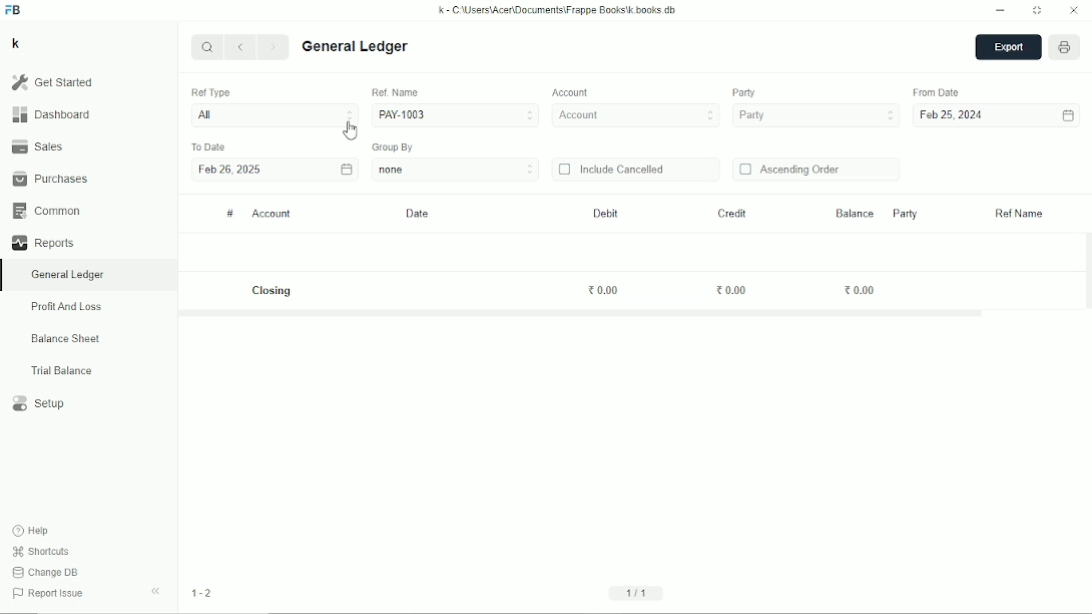  Describe the element at coordinates (13, 10) in the screenshot. I see `FB` at that location.